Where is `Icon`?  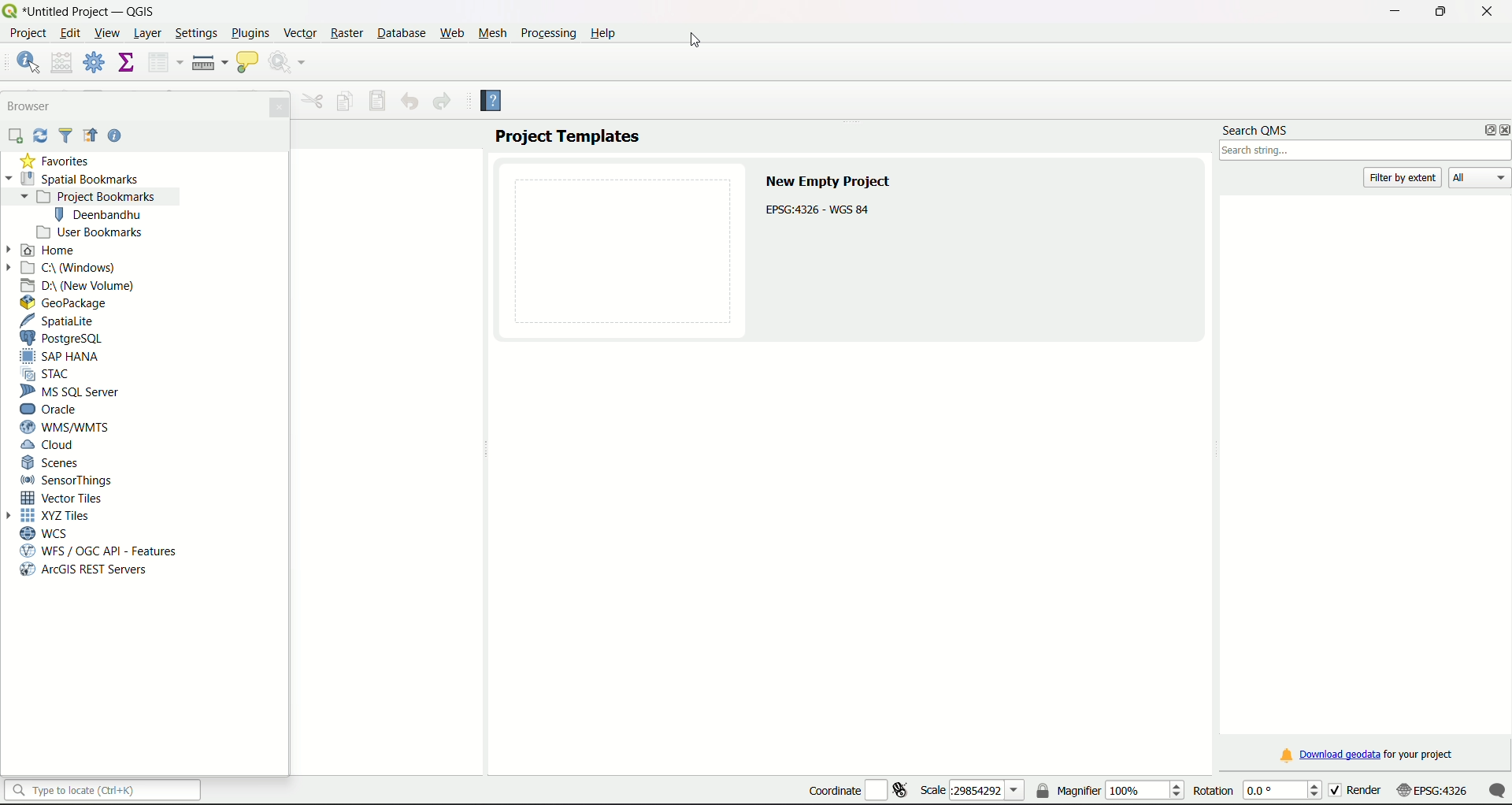 Icon is located at coordinates (90, 136).